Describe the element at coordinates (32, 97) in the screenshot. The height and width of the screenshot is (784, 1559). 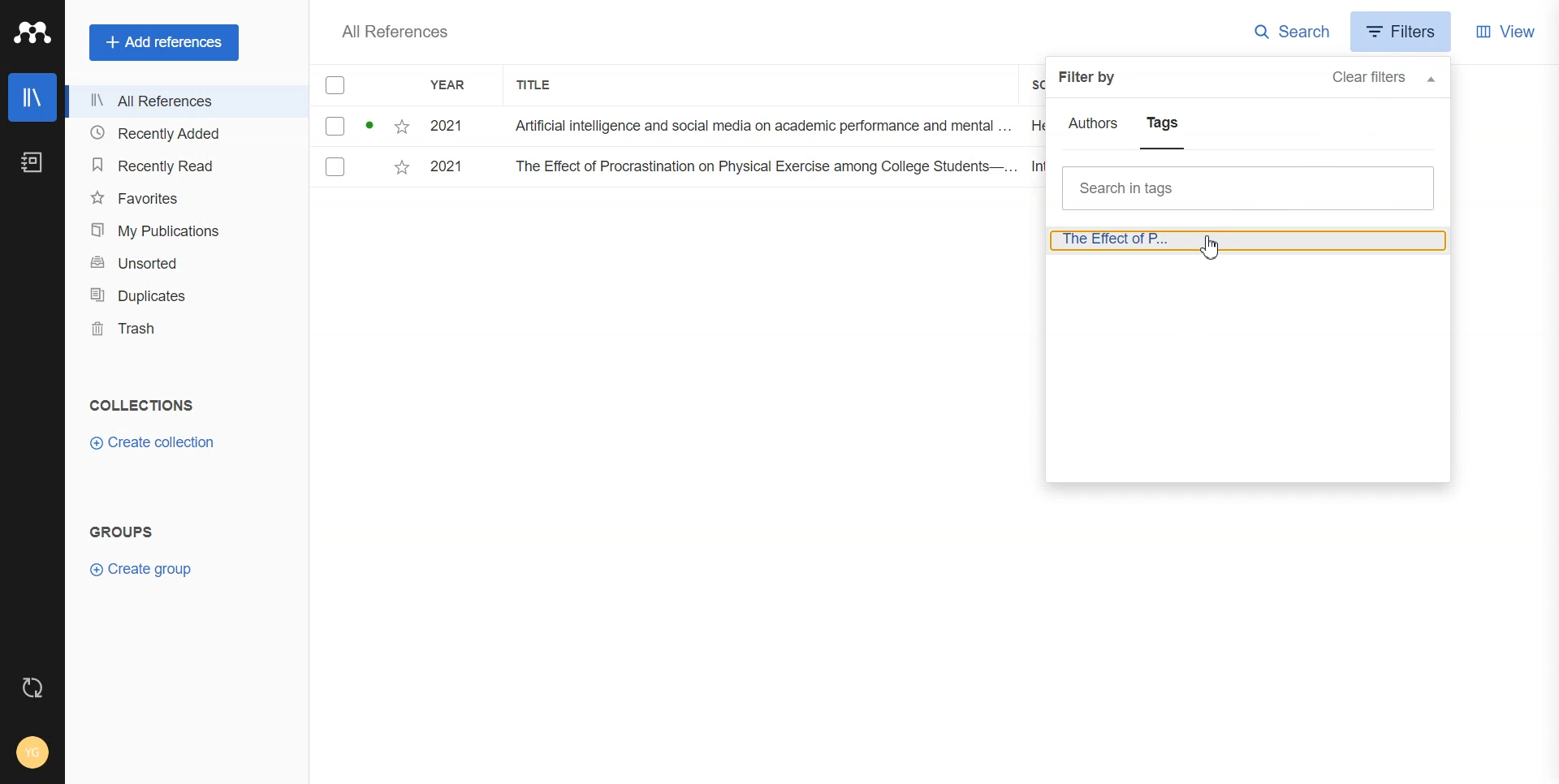
I see `Library` at that location.